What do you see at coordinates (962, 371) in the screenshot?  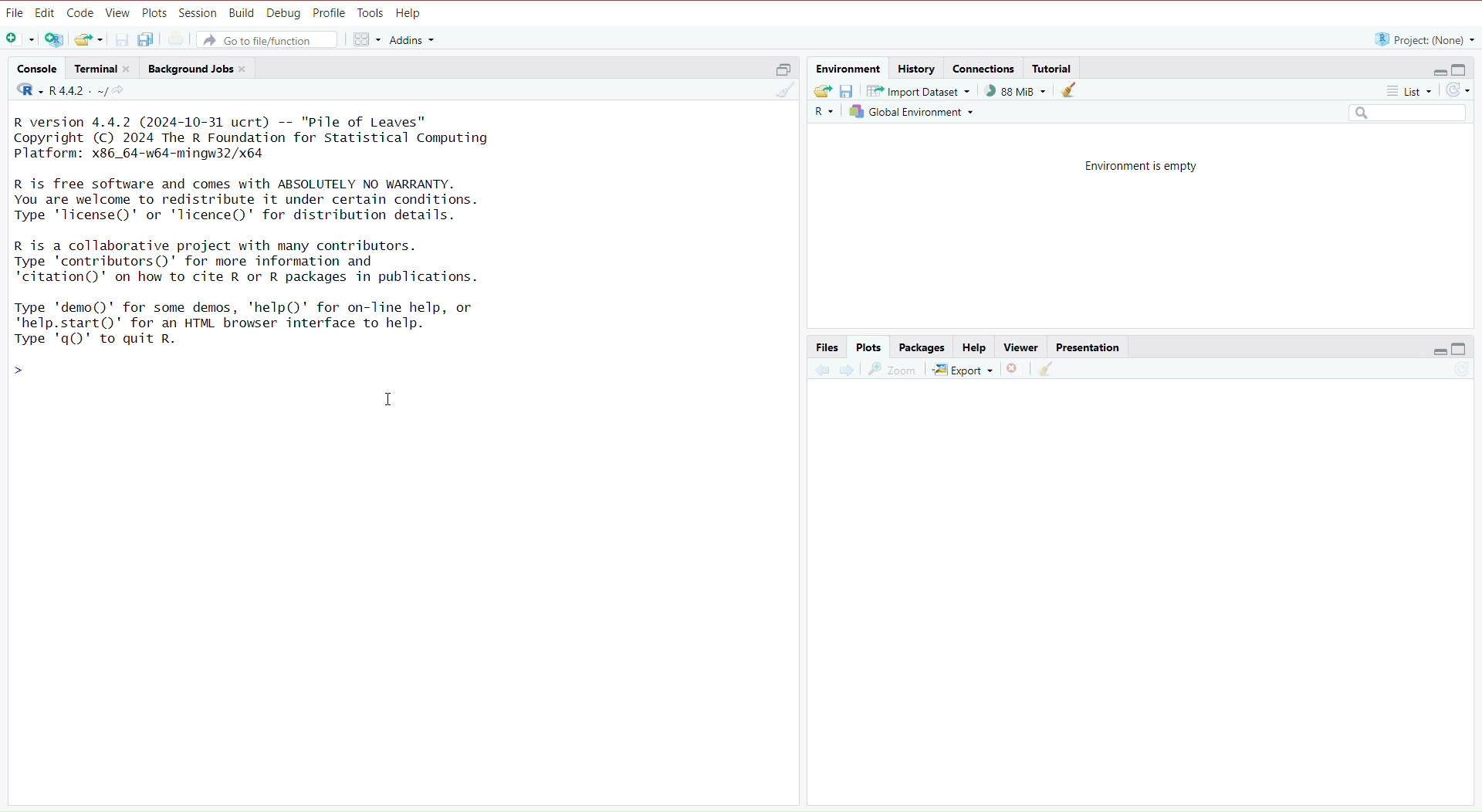 I see `export` at bounding box center [962, 371].